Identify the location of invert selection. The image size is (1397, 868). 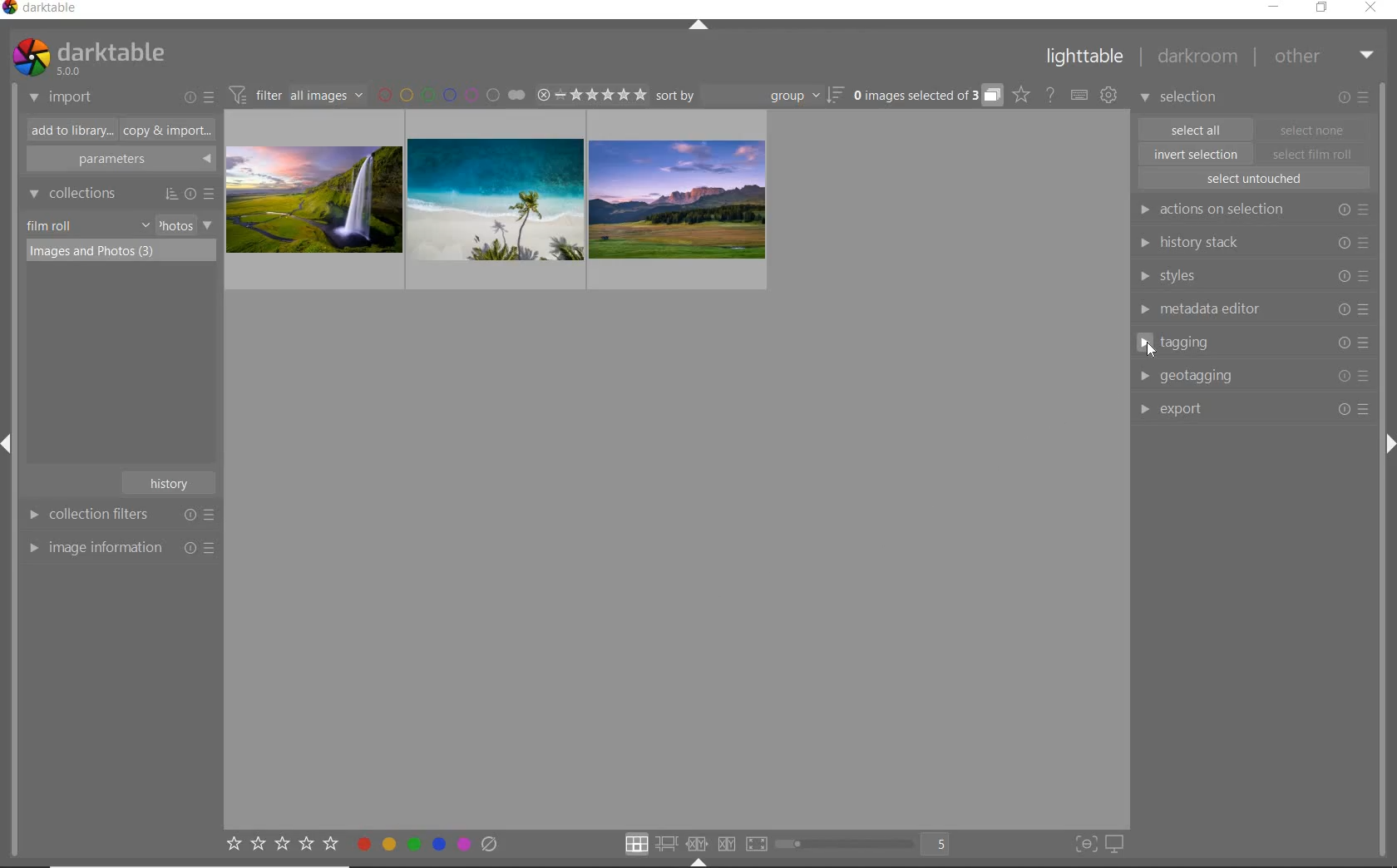
(1197, 154).